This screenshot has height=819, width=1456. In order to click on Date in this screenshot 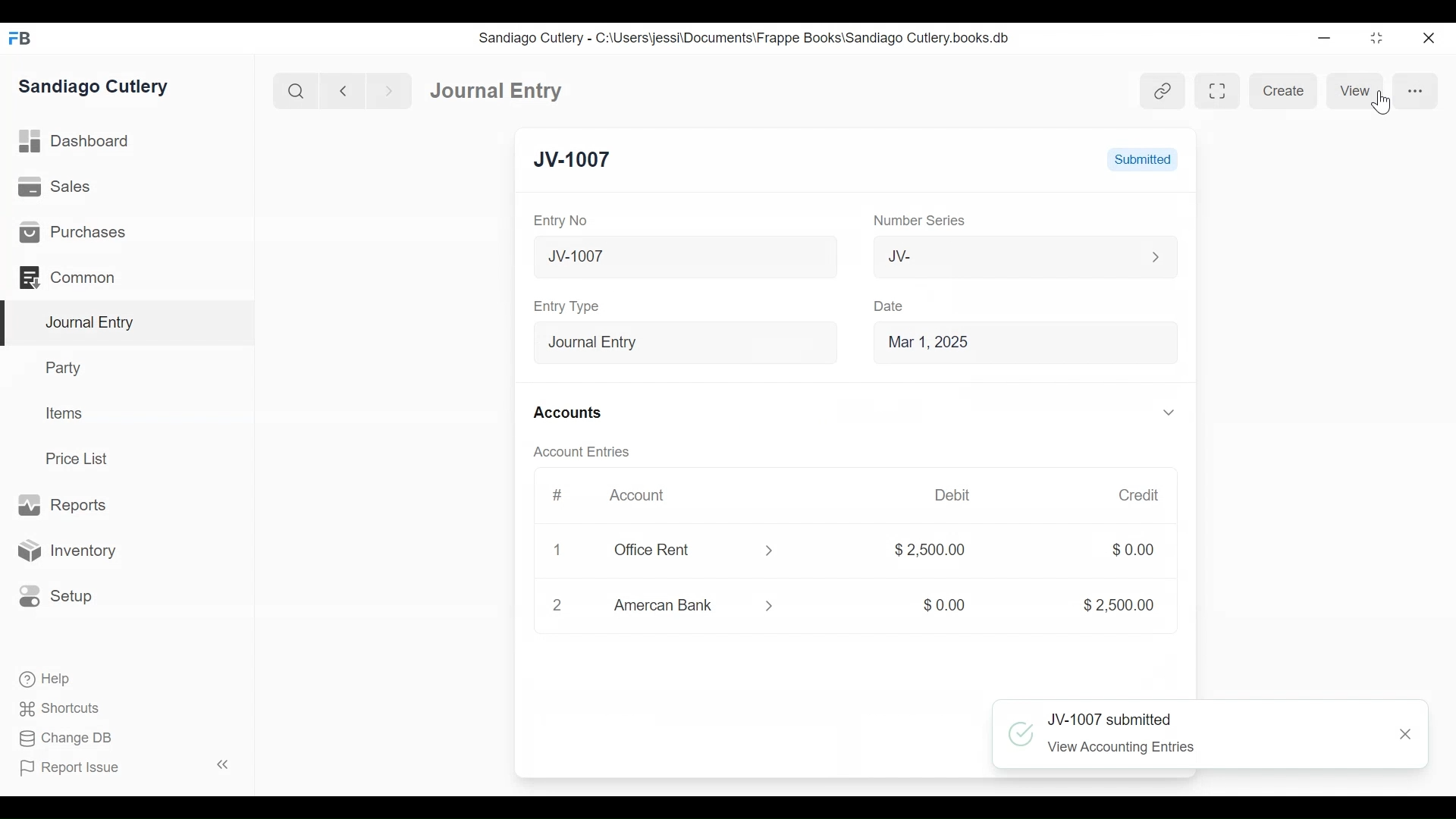, I will do `click(884, 306)`.